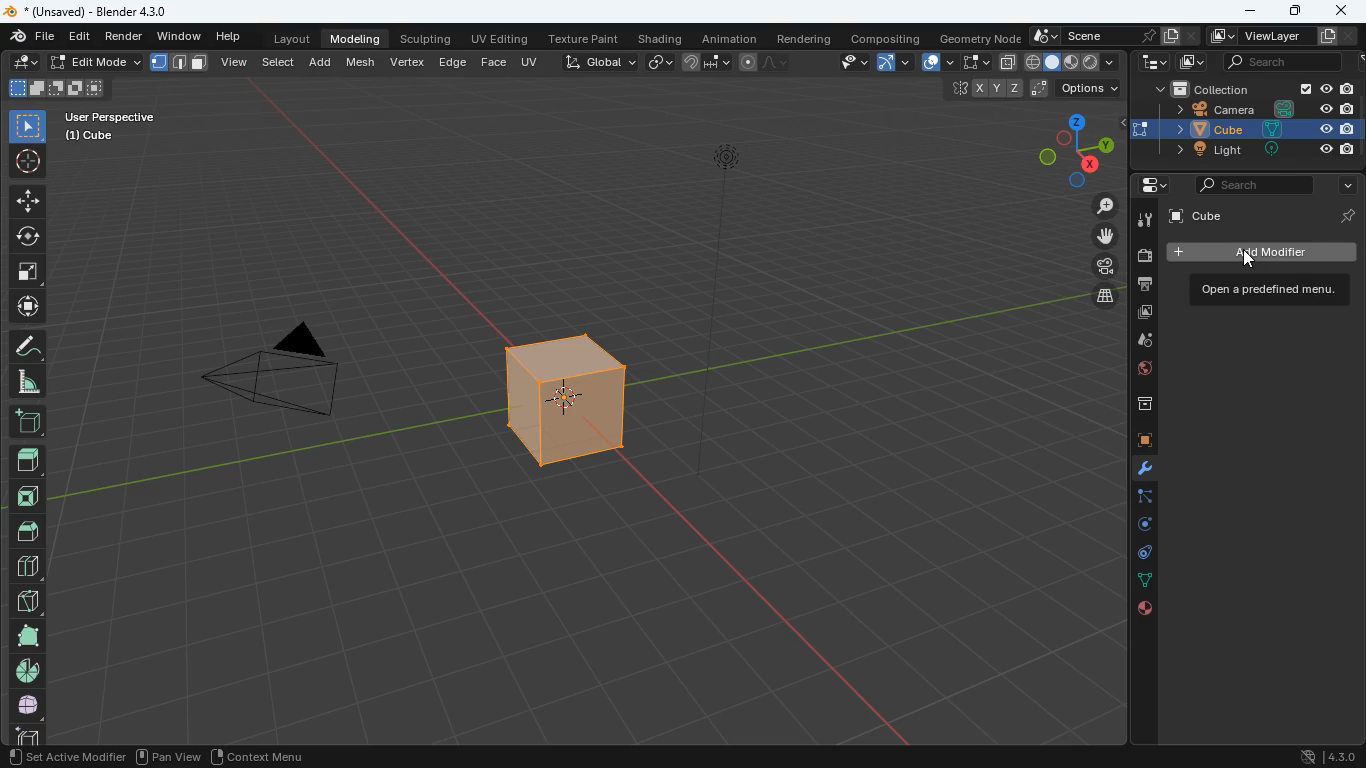 Image resolution: width=1366 pixels, height=768 pixels. What do you see at coordinates (930, 61) in the screenshot?
I see `overlap` at bounding box center [930, 61].